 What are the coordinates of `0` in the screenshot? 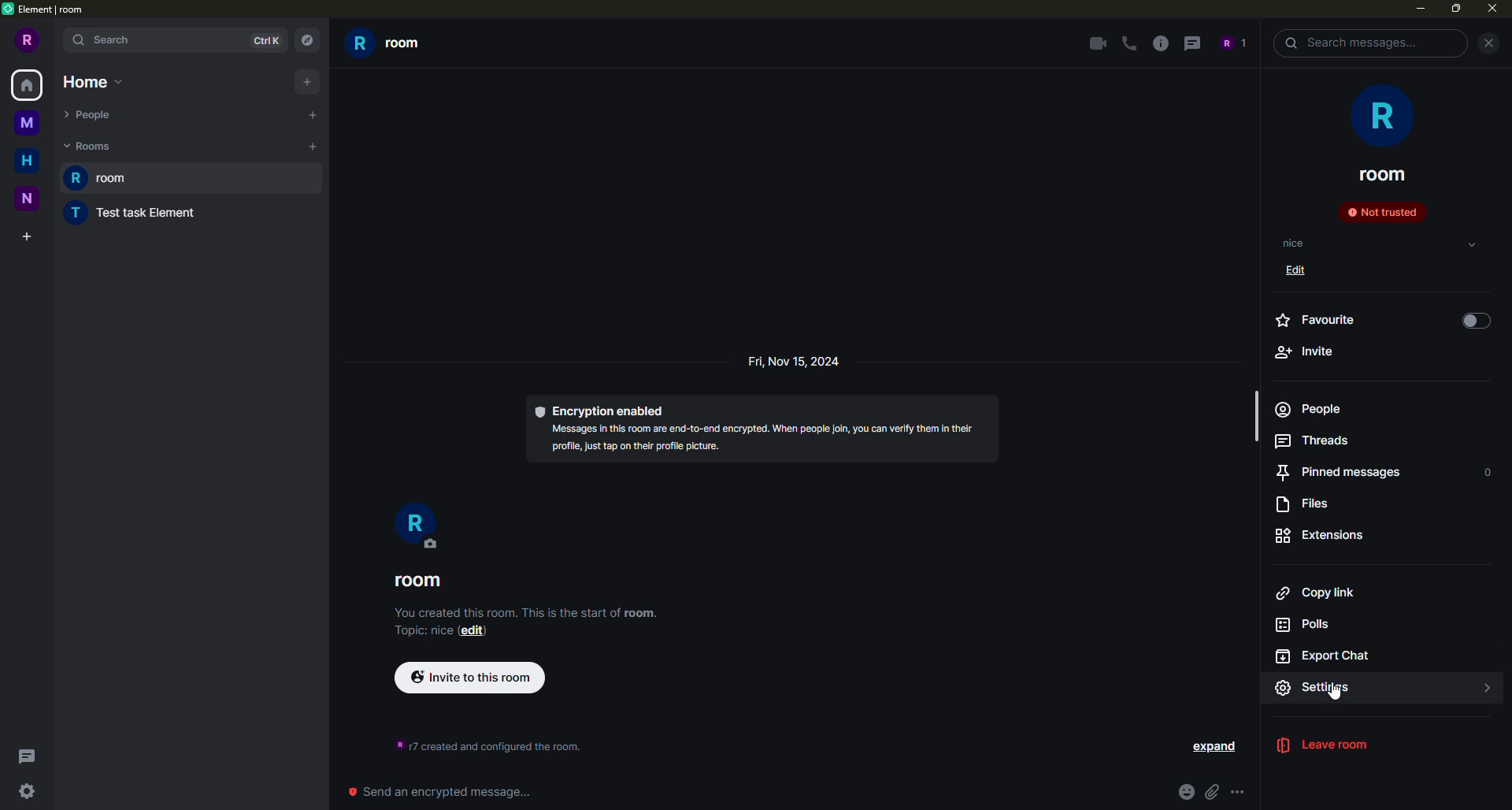 It's located at (1488, 473).